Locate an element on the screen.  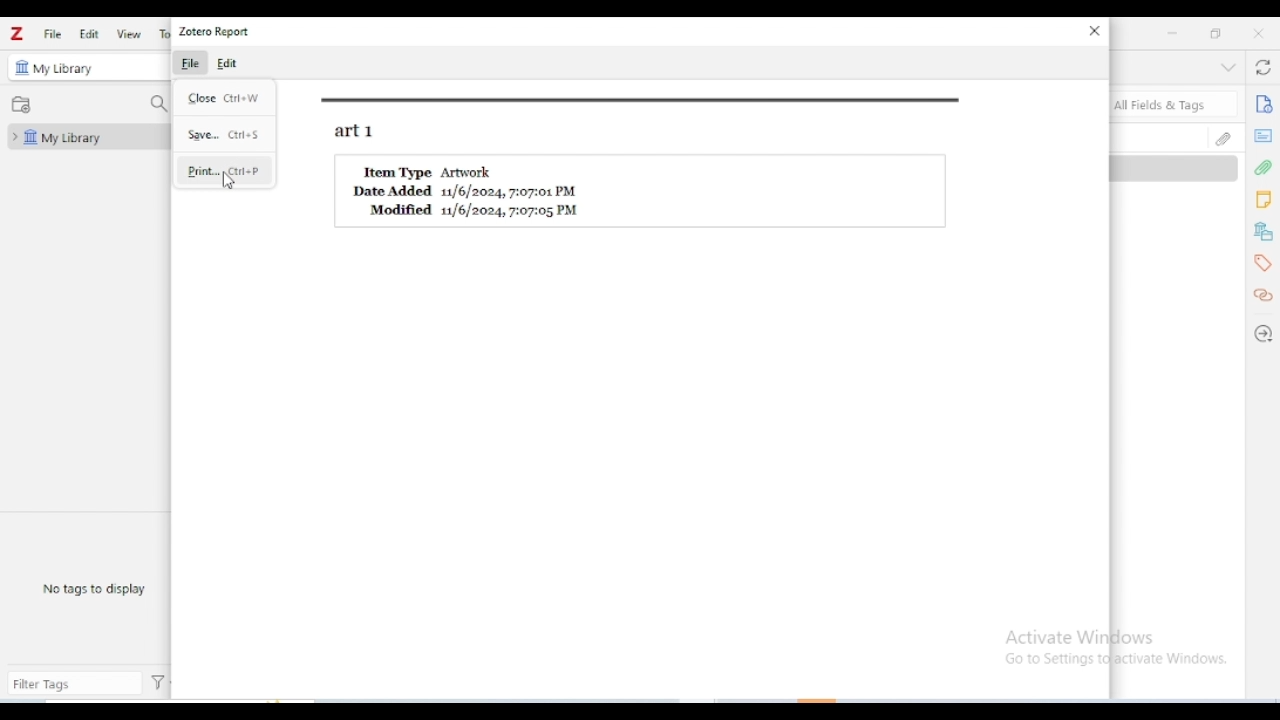
filter collections is located at coordinates (158, 105).